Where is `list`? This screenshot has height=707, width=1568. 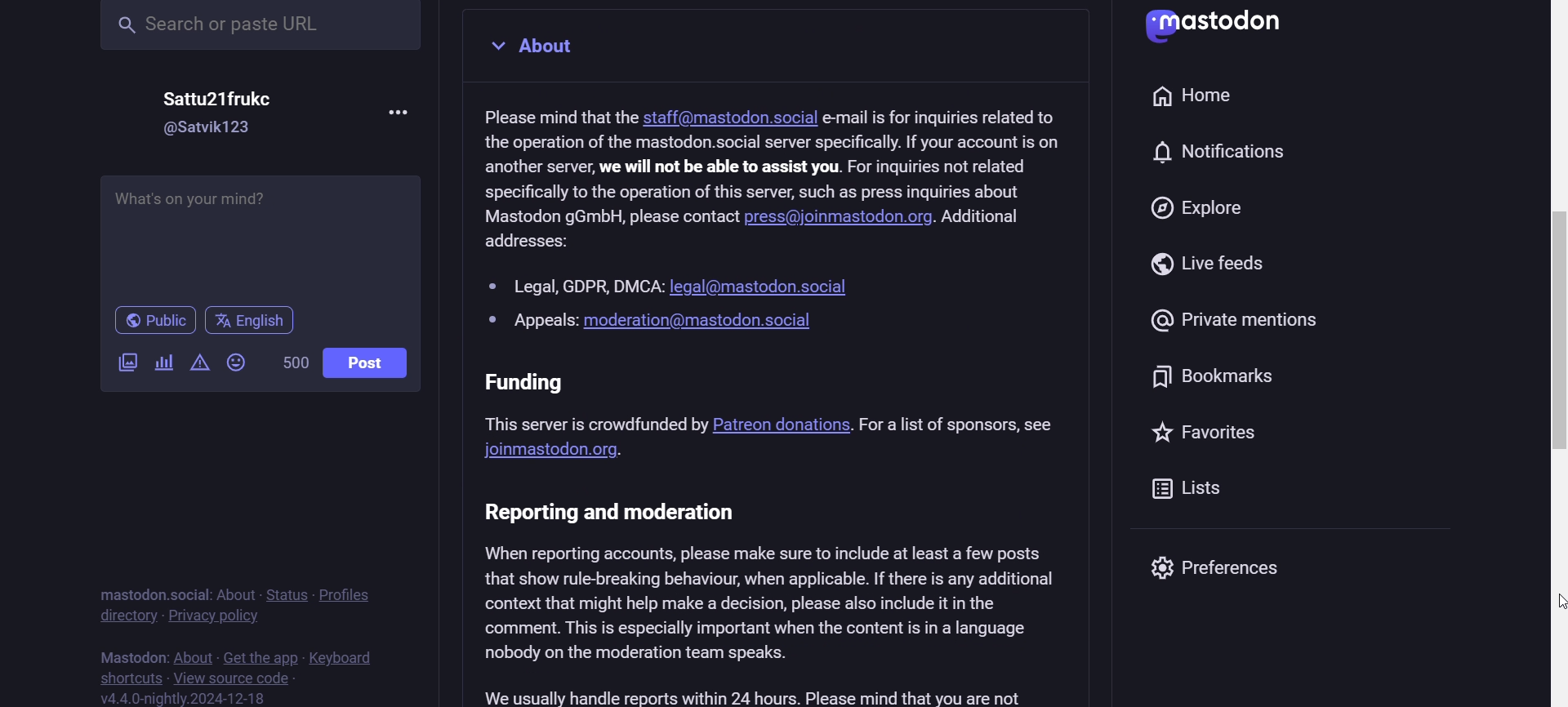 list is located at coordinates (1191, 496).